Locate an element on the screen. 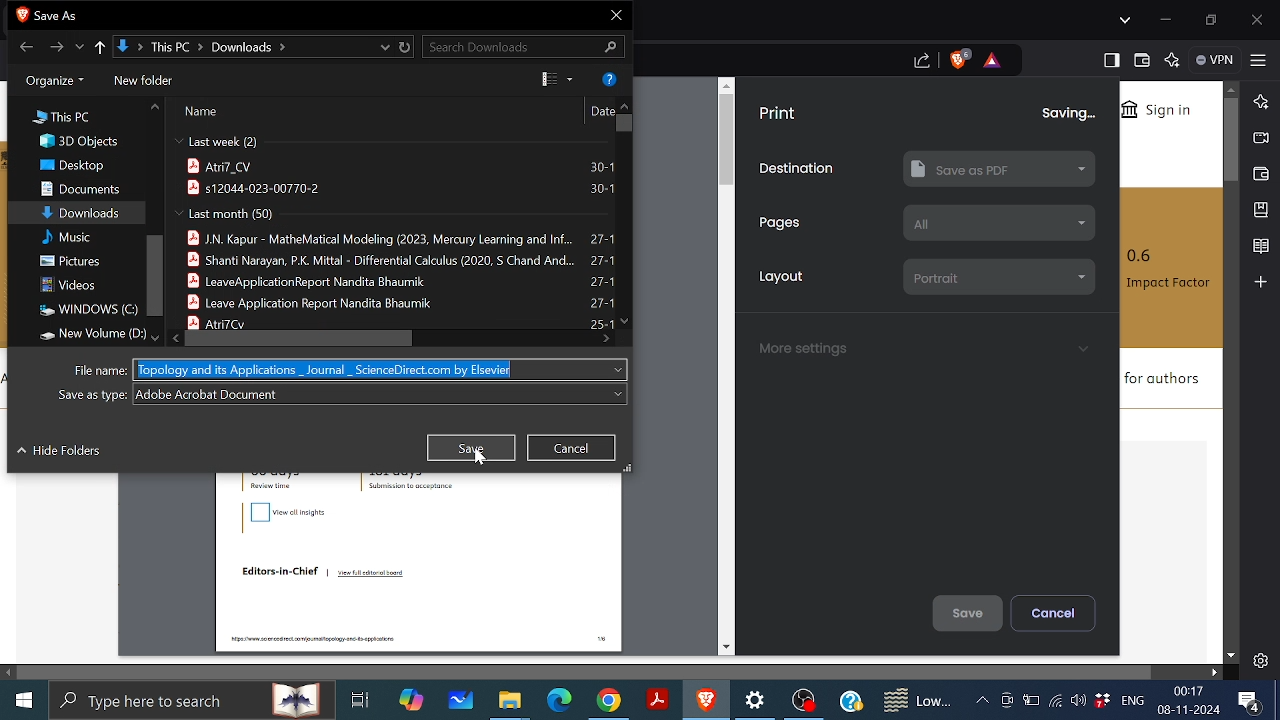 Image resolution: width=1280 pixels, height=720 pixels. Destination is located at coordinates (805, 170).